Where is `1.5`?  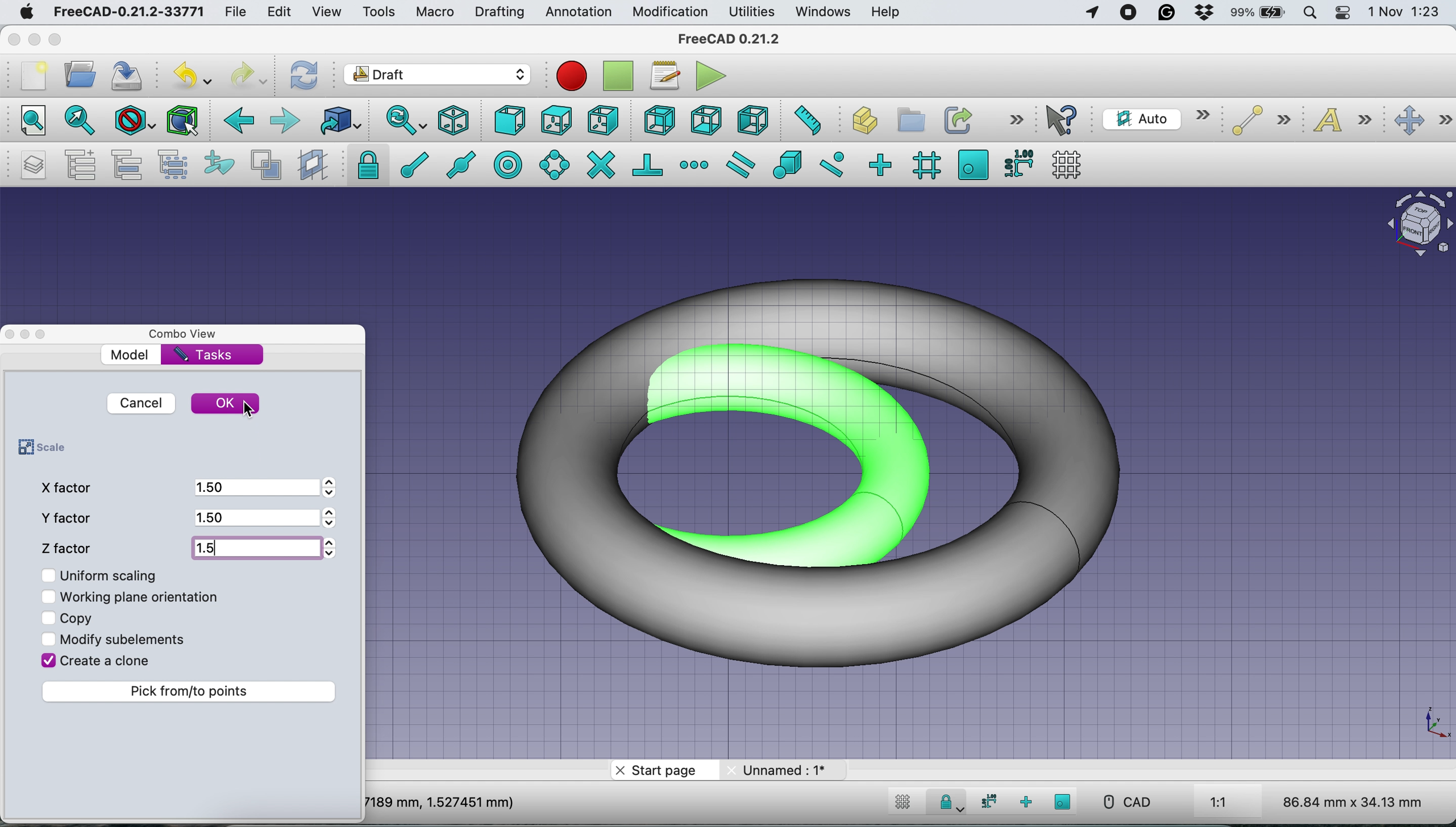
1.5 is located at coordinates (253, 486).